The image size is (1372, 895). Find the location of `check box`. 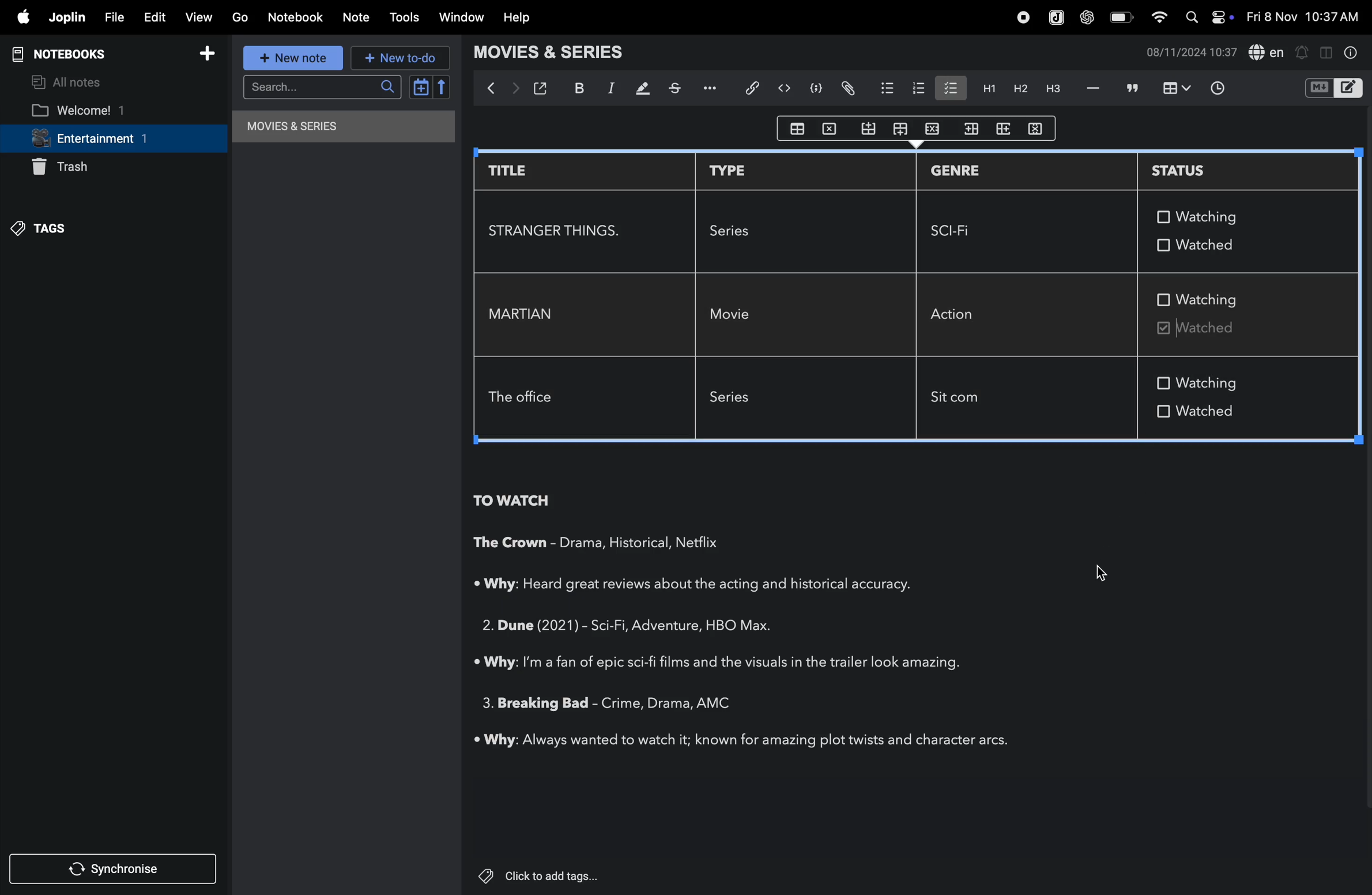

check box is located at coordinates (1160, 217).